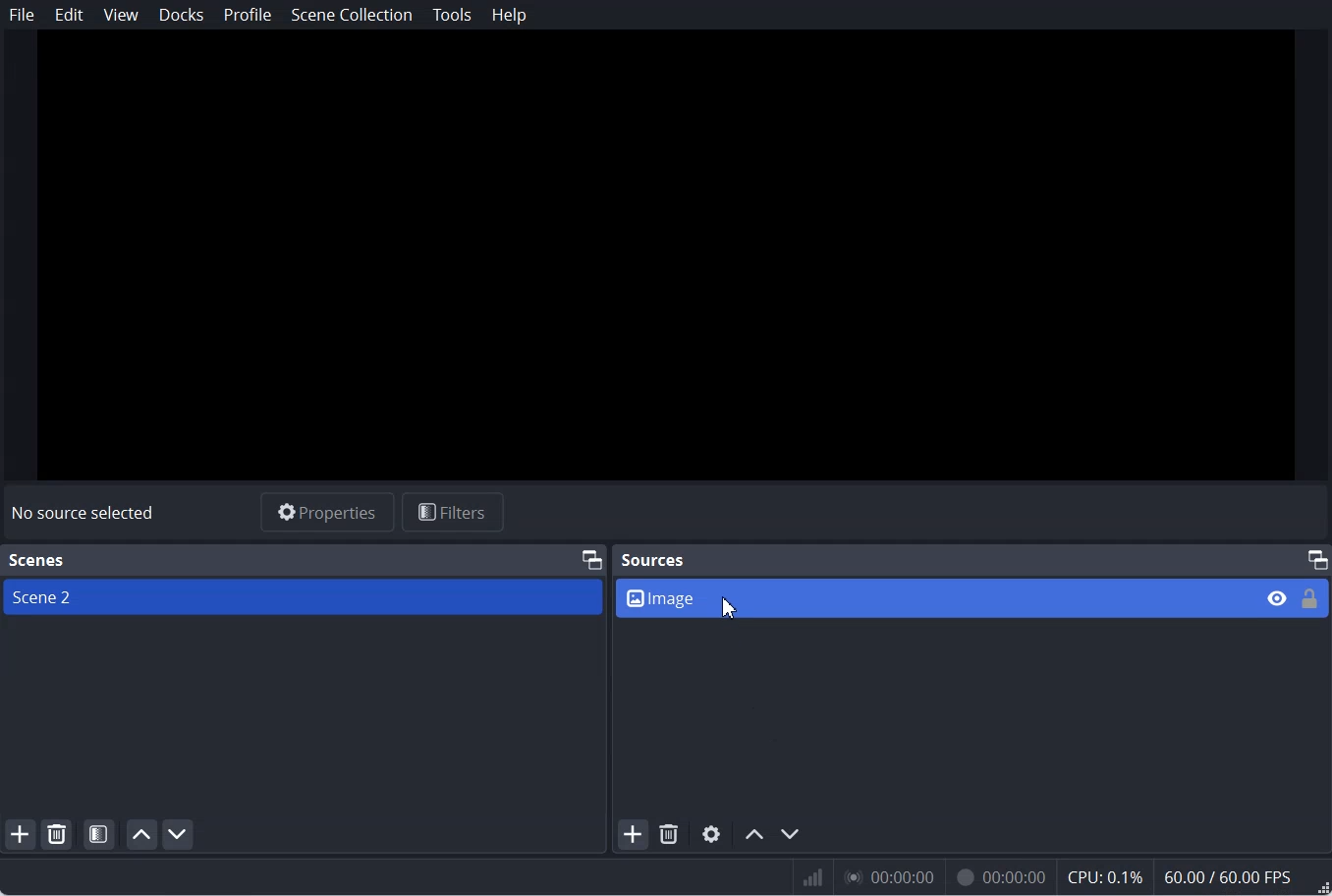  Describe the element at coordinates (22, 15) in the screenshot. I see `File` at that location.